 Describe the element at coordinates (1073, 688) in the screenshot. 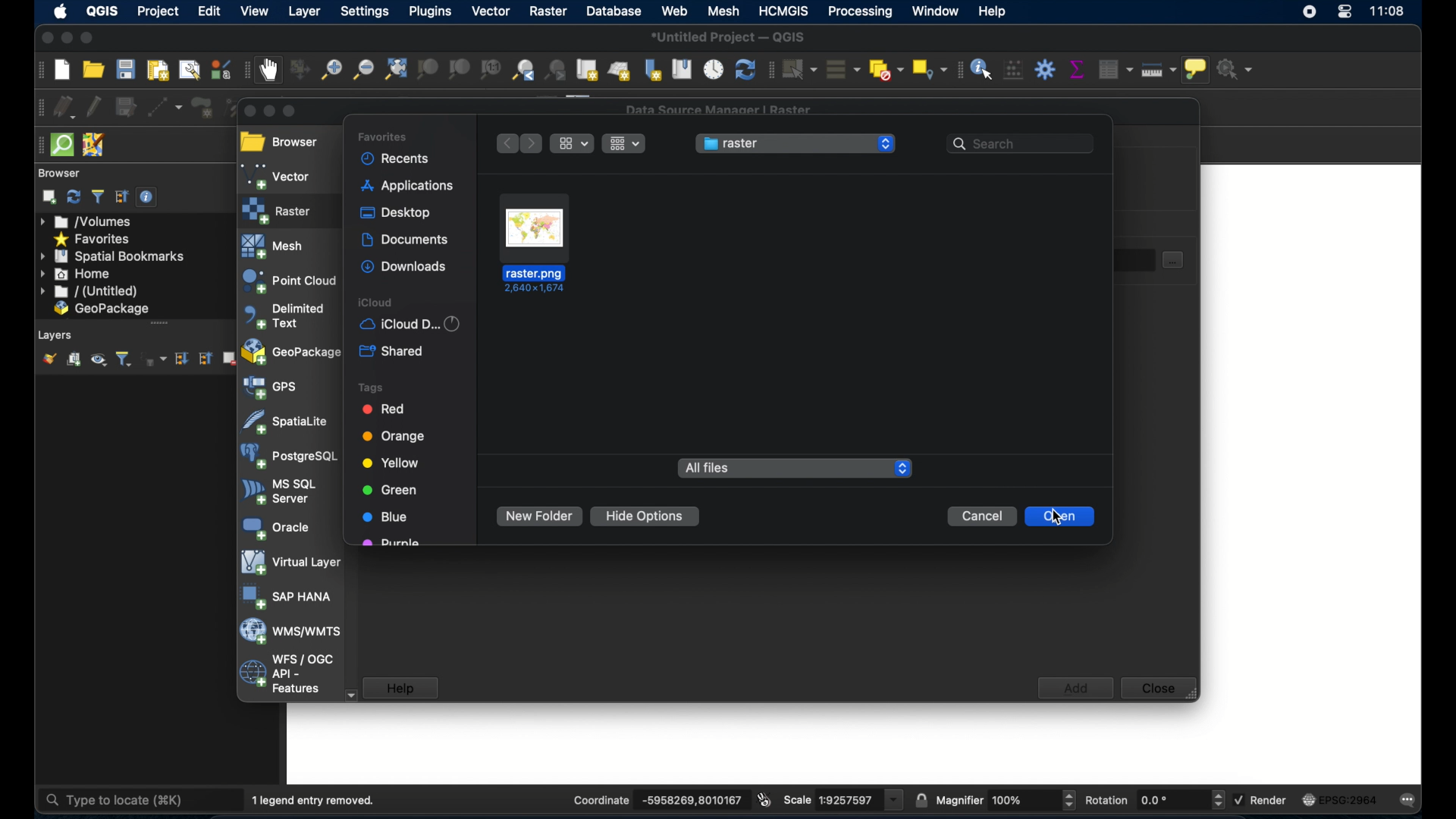

I see `add` at that location.